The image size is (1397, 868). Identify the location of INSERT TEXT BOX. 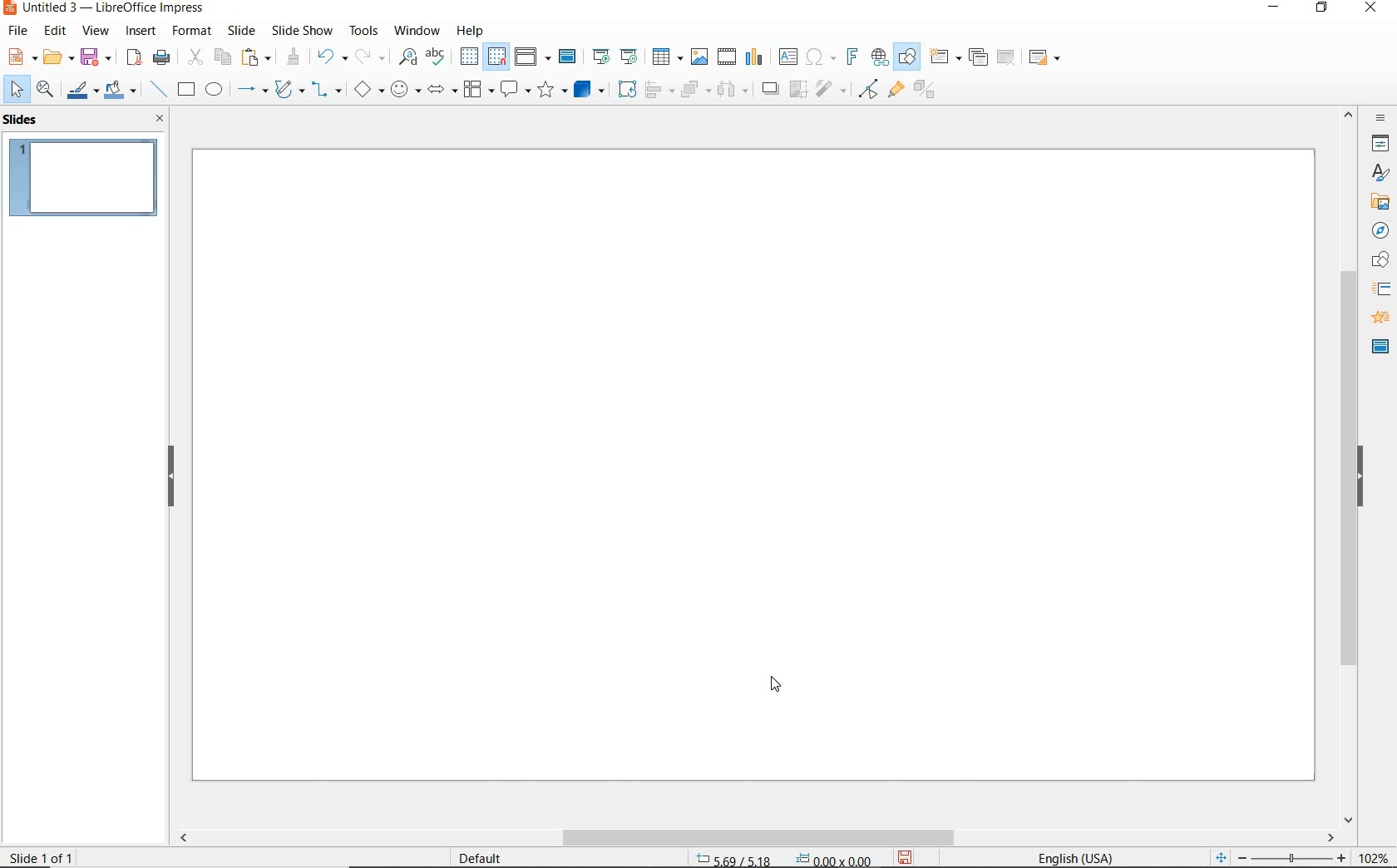
(789, 57).